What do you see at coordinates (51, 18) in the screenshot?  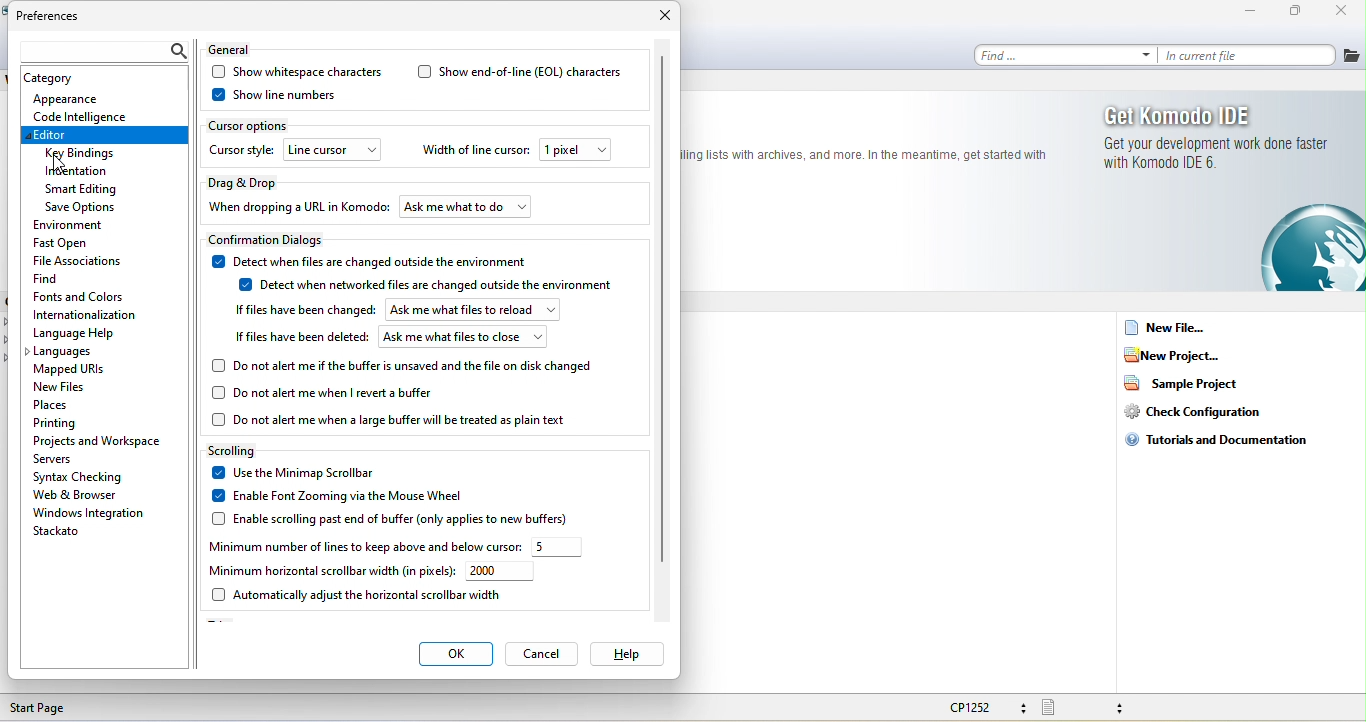 I see `preferences` at bounding box center [51, 18].